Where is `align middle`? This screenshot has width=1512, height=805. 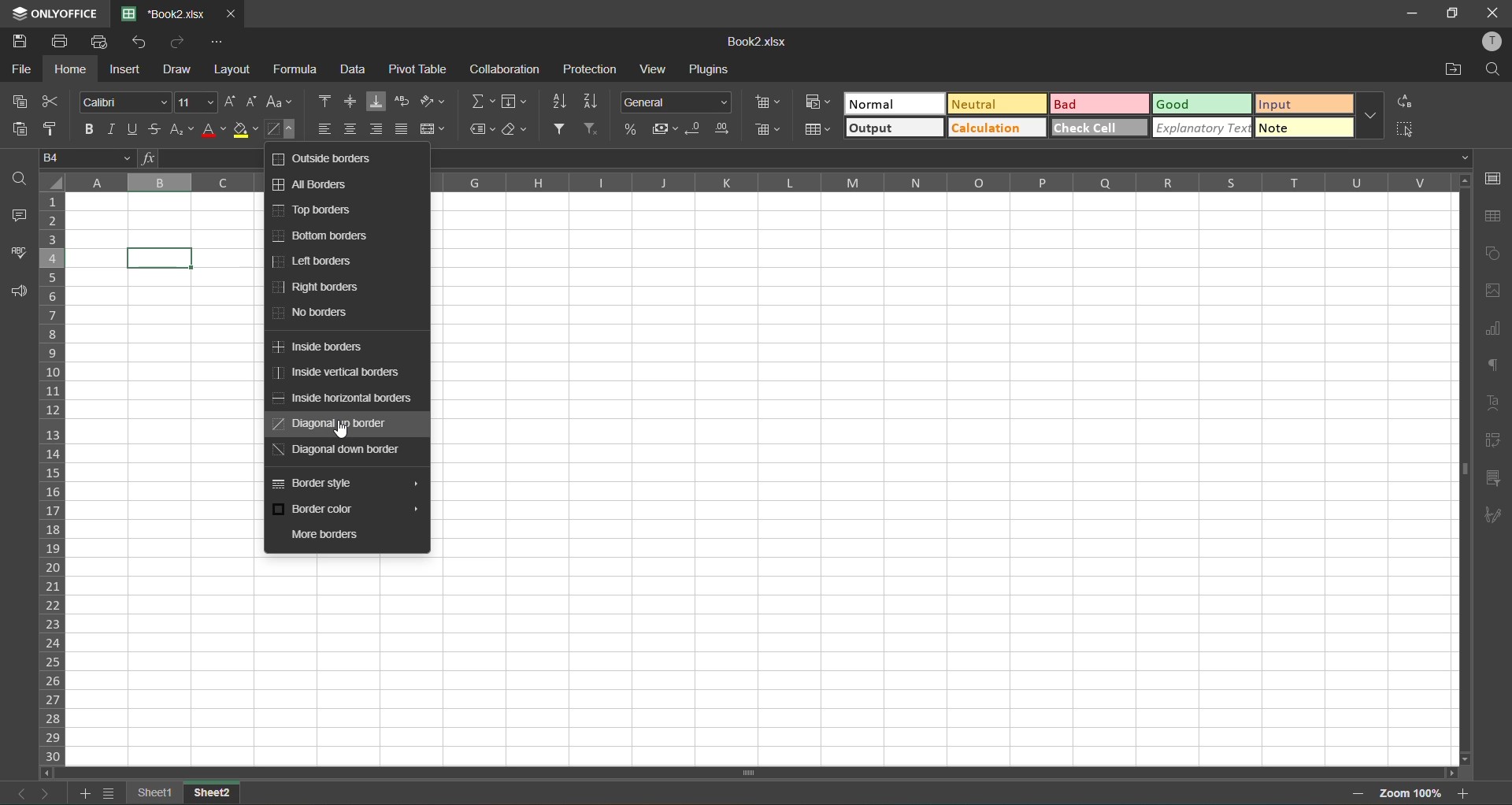 align middle is located at coordinates (354, 102).